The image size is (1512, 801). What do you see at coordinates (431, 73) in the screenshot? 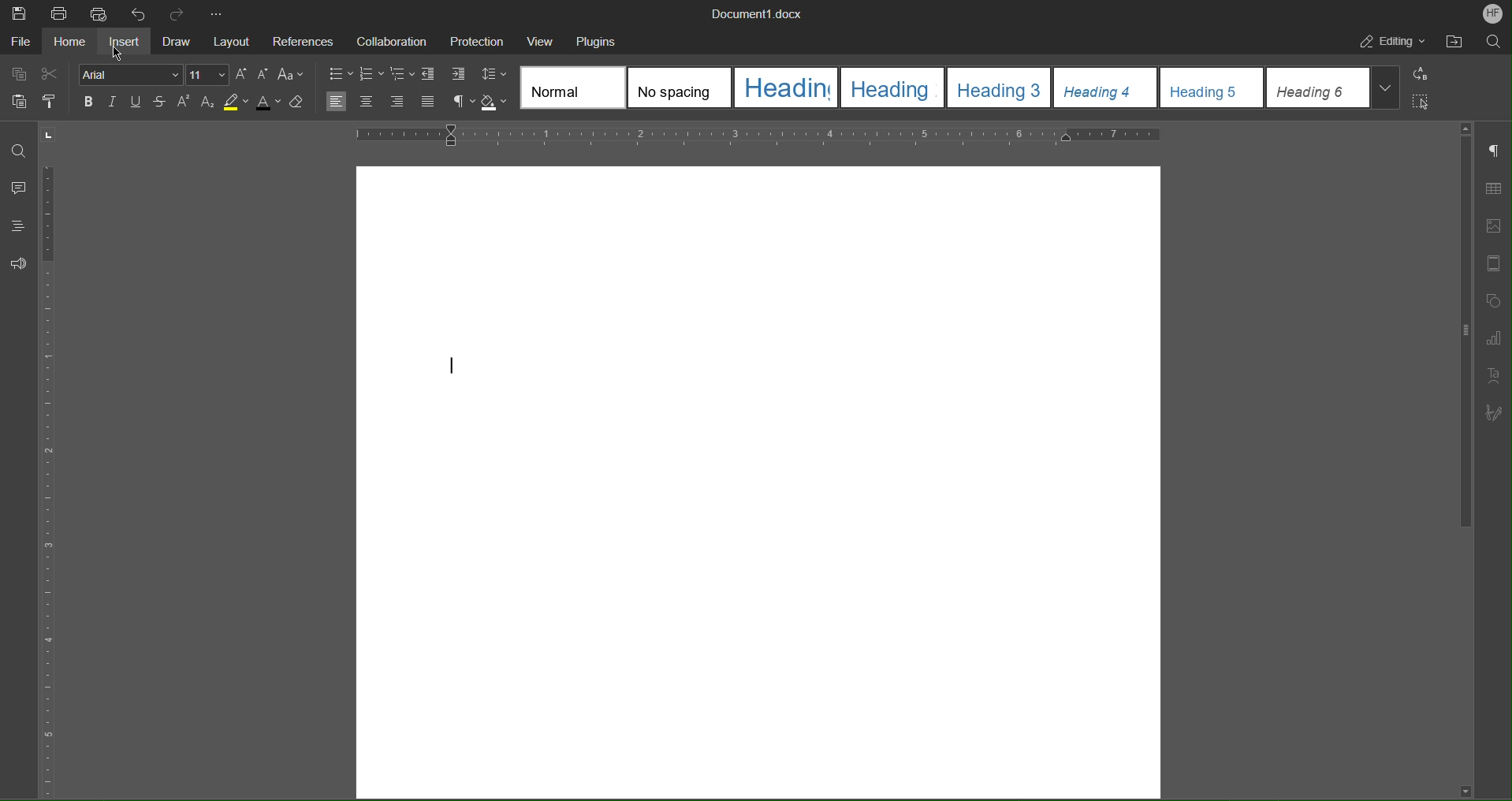
I see `Decrease Indent` at bounding box center [431, 73].